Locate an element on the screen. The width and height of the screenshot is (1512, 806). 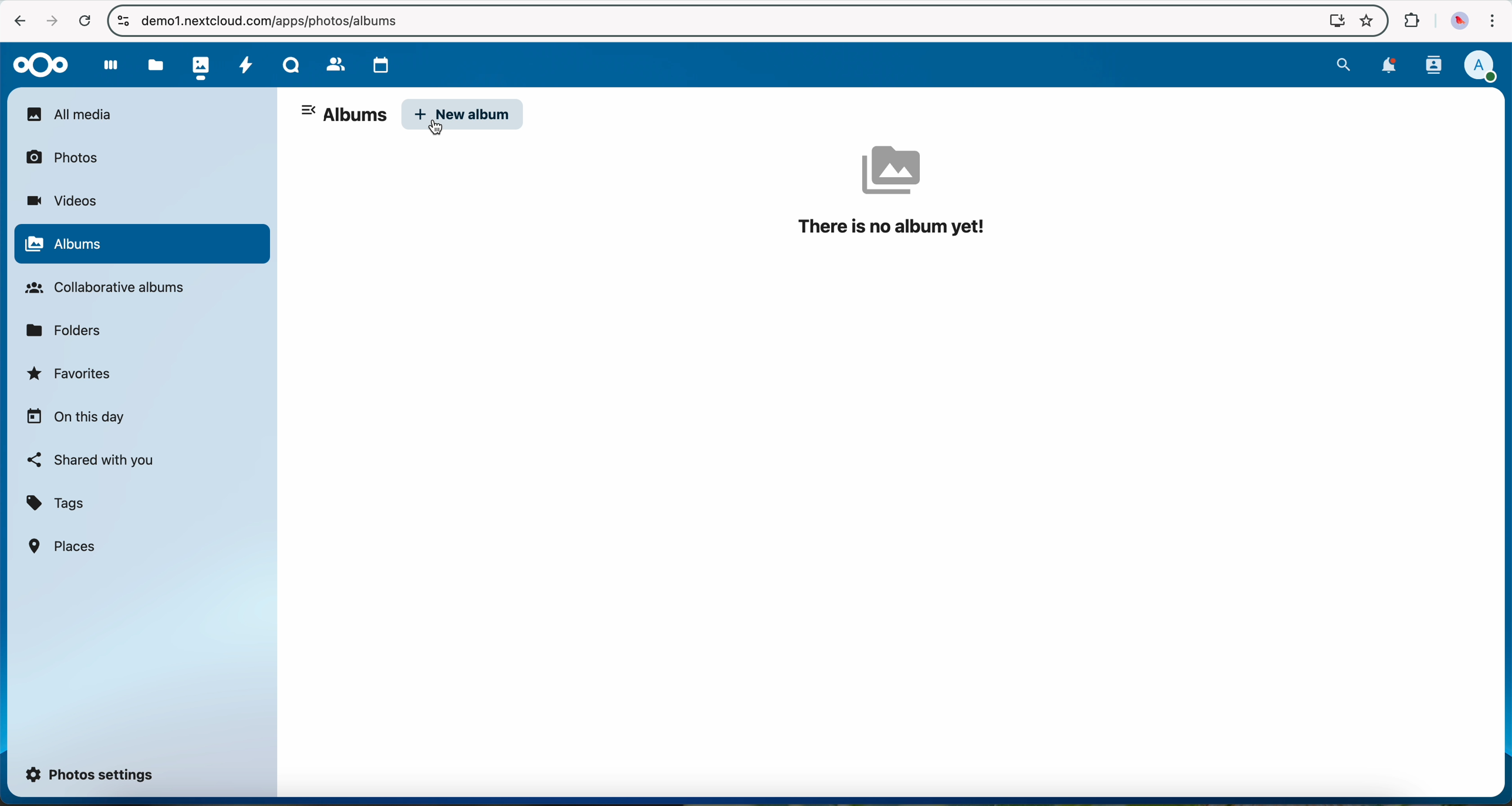
Talk is located at coordinates (291, 63).